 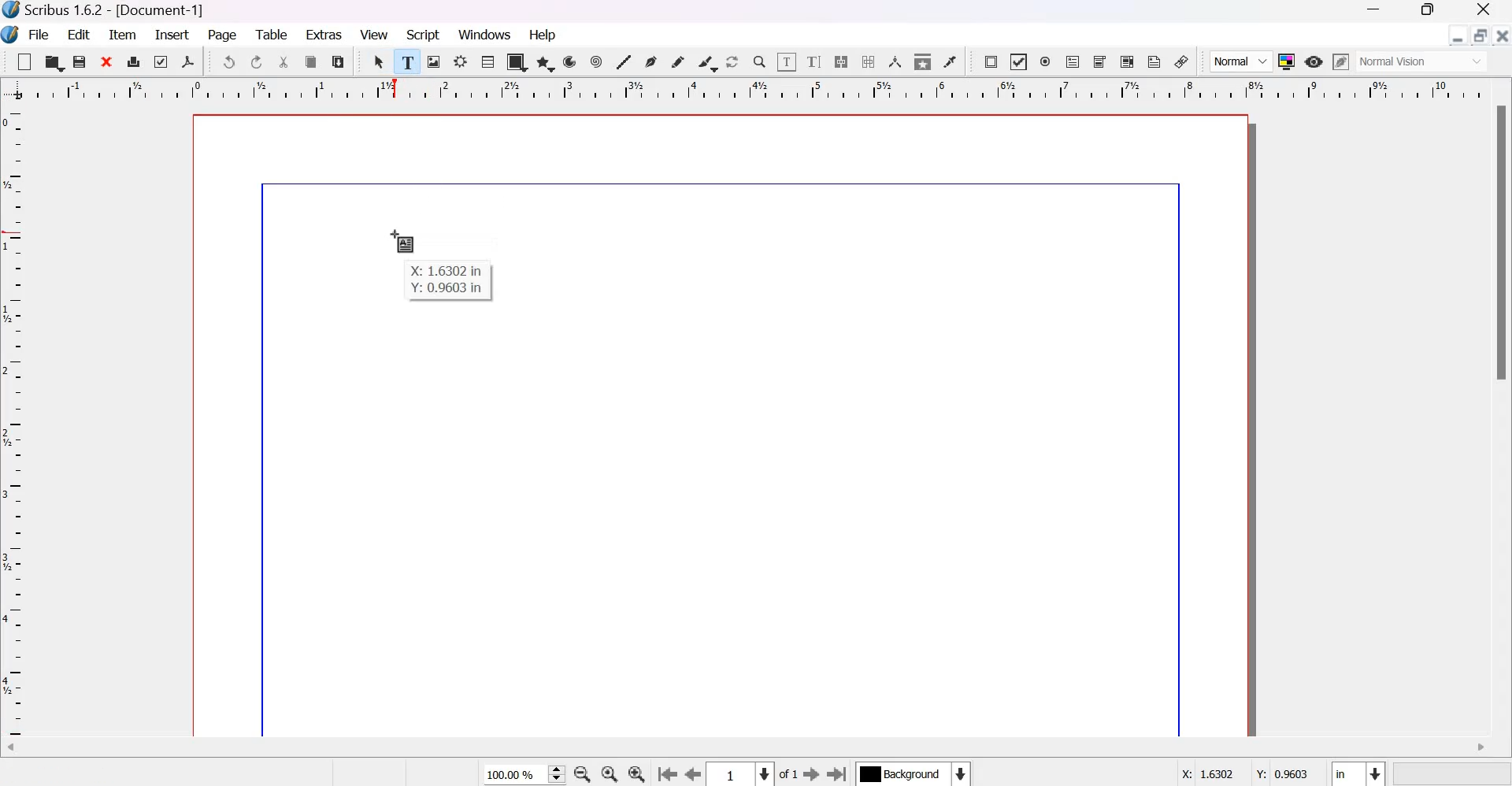 What do you see at coordinates (547, 63) in the screenshot?
I see `polygon` at bounding box center [547, 63].